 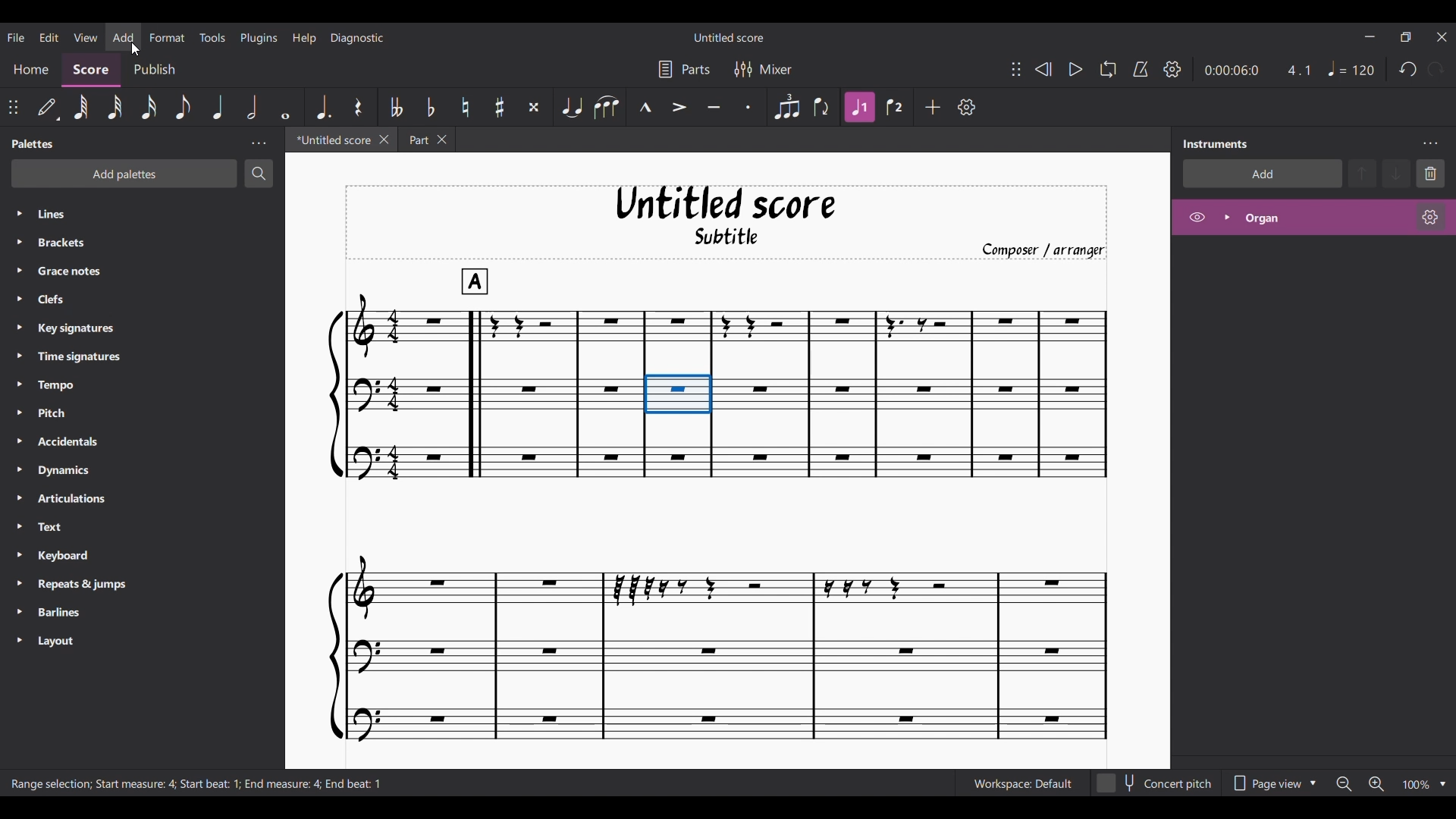 I want to click on Current Workspace setting, so click(x=1022, y=783).